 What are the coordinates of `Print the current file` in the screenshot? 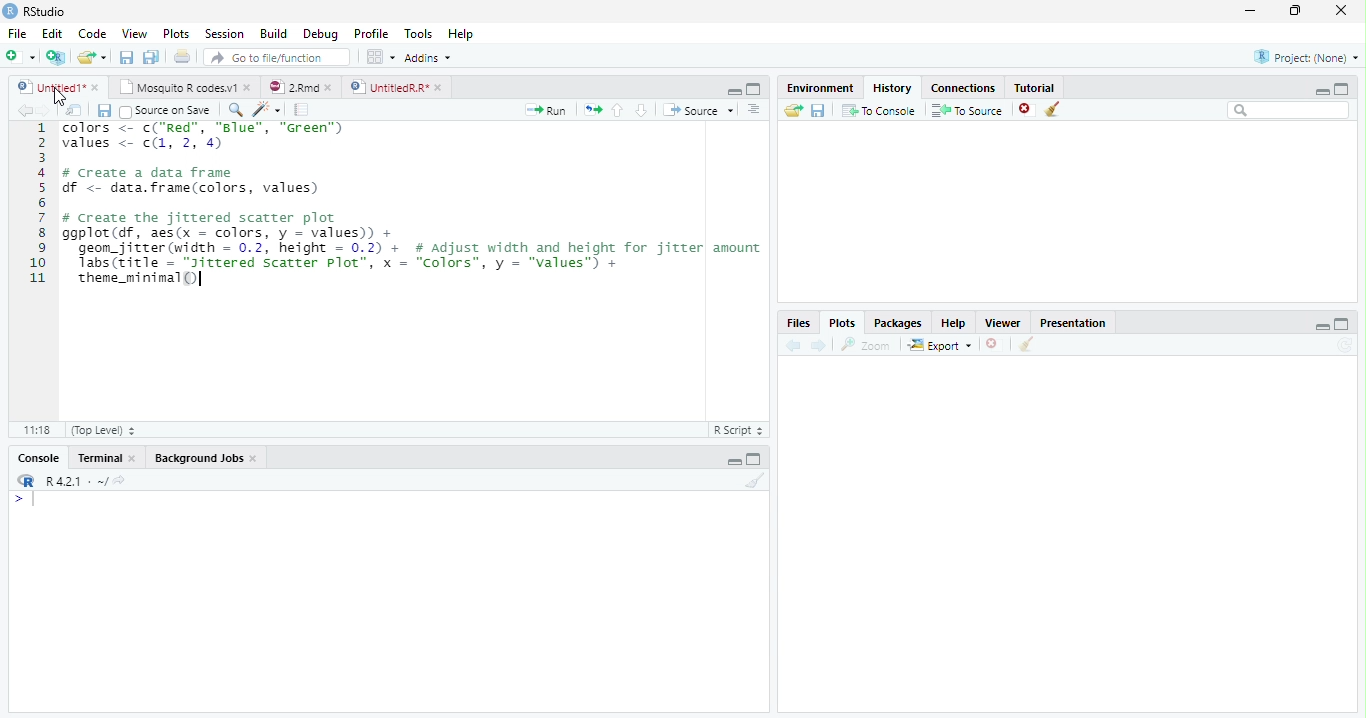 It's located at (183, 56).